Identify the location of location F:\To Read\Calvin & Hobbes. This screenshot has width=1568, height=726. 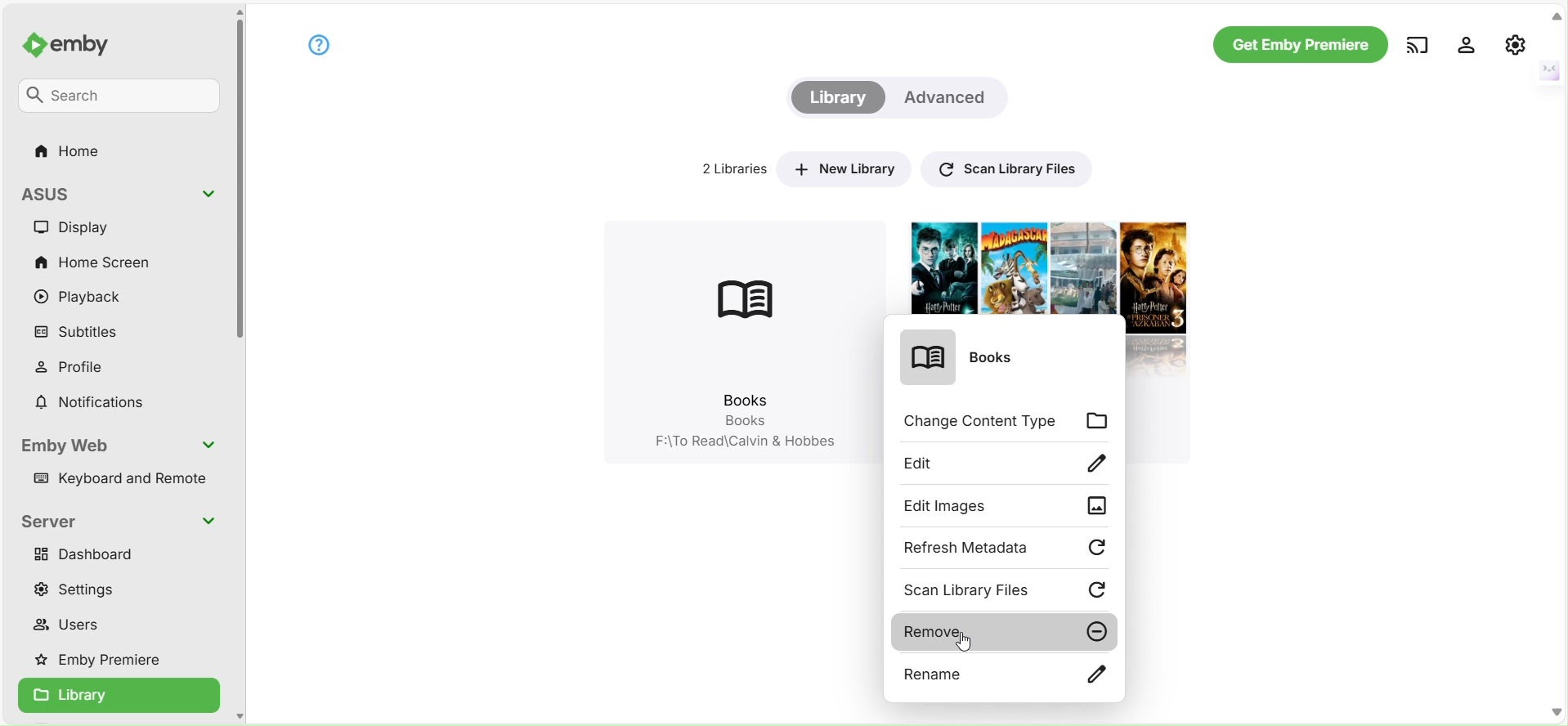
(741, 444).